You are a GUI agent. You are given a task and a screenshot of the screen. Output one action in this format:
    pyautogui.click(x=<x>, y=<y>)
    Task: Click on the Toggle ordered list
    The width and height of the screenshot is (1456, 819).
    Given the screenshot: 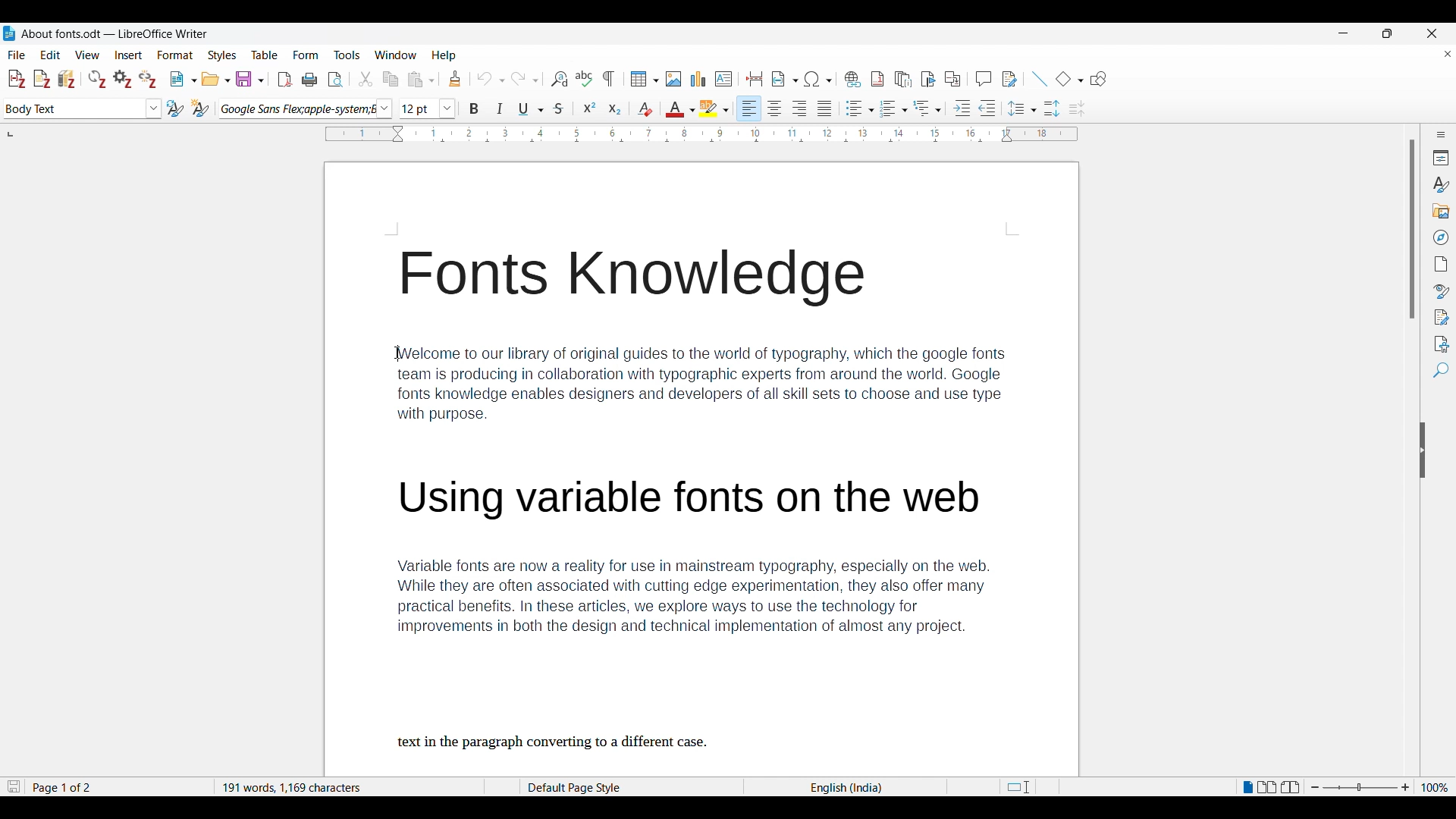 What is the action you would take?
    pyautogui.click(x=894, y=108)
    